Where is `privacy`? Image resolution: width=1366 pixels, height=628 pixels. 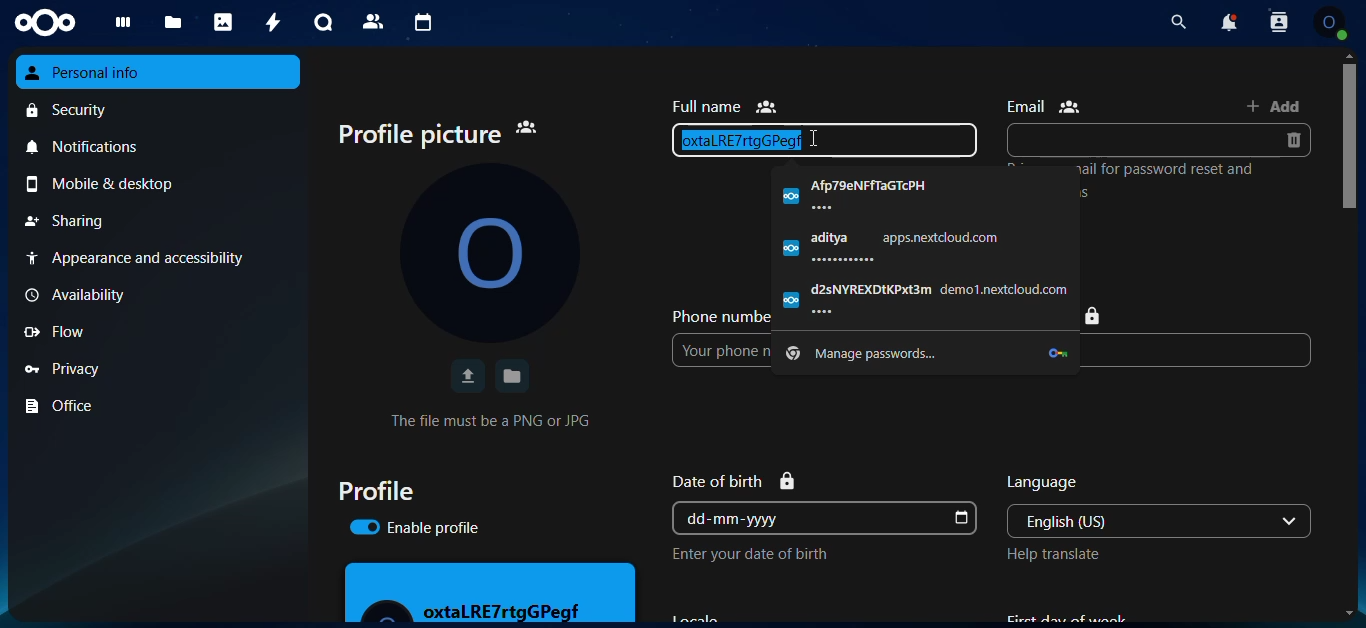 privacy is located at coordinates (160, 367).